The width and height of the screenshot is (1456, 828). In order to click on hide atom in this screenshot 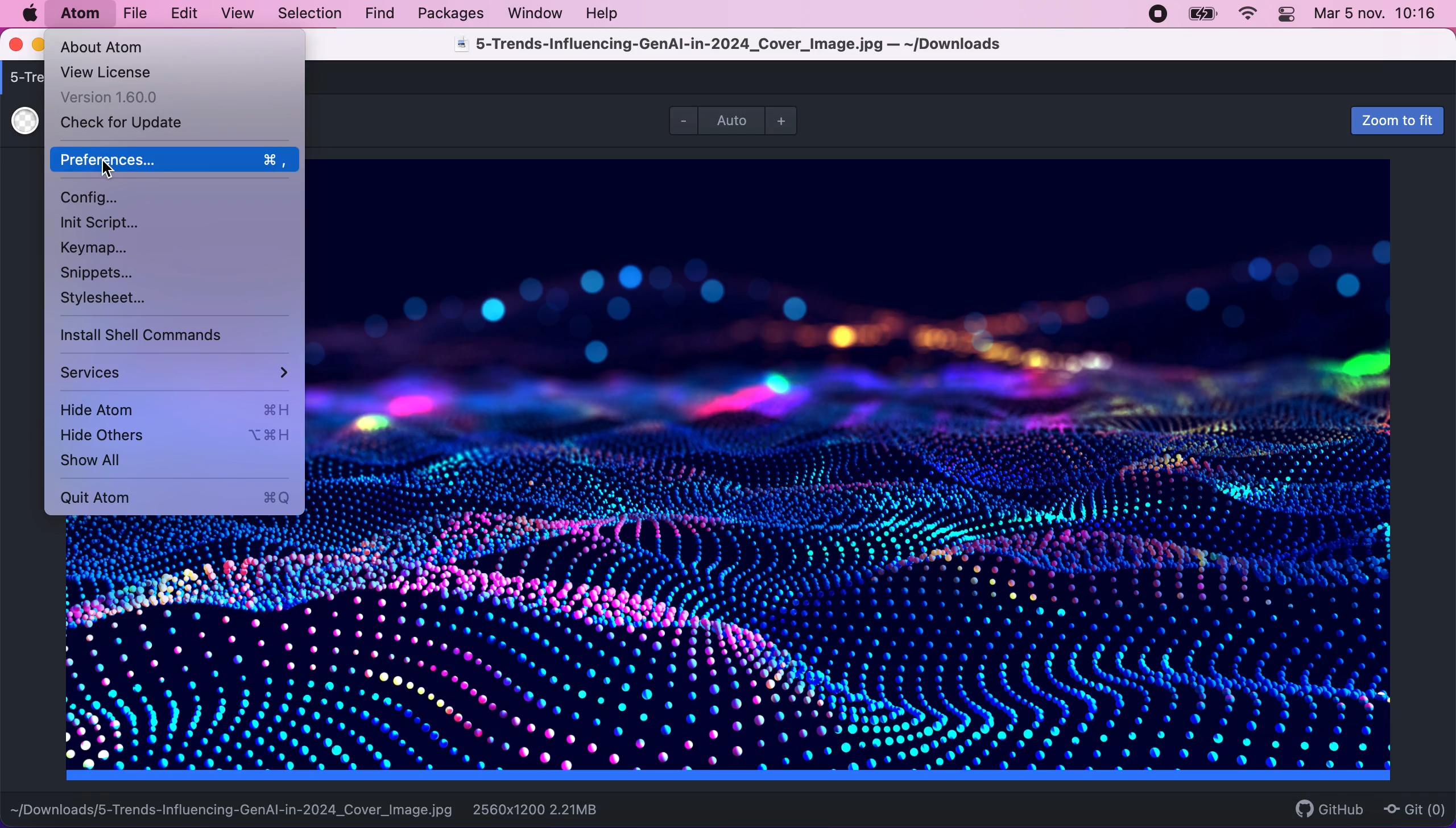, I will do `click(172, 408)`.